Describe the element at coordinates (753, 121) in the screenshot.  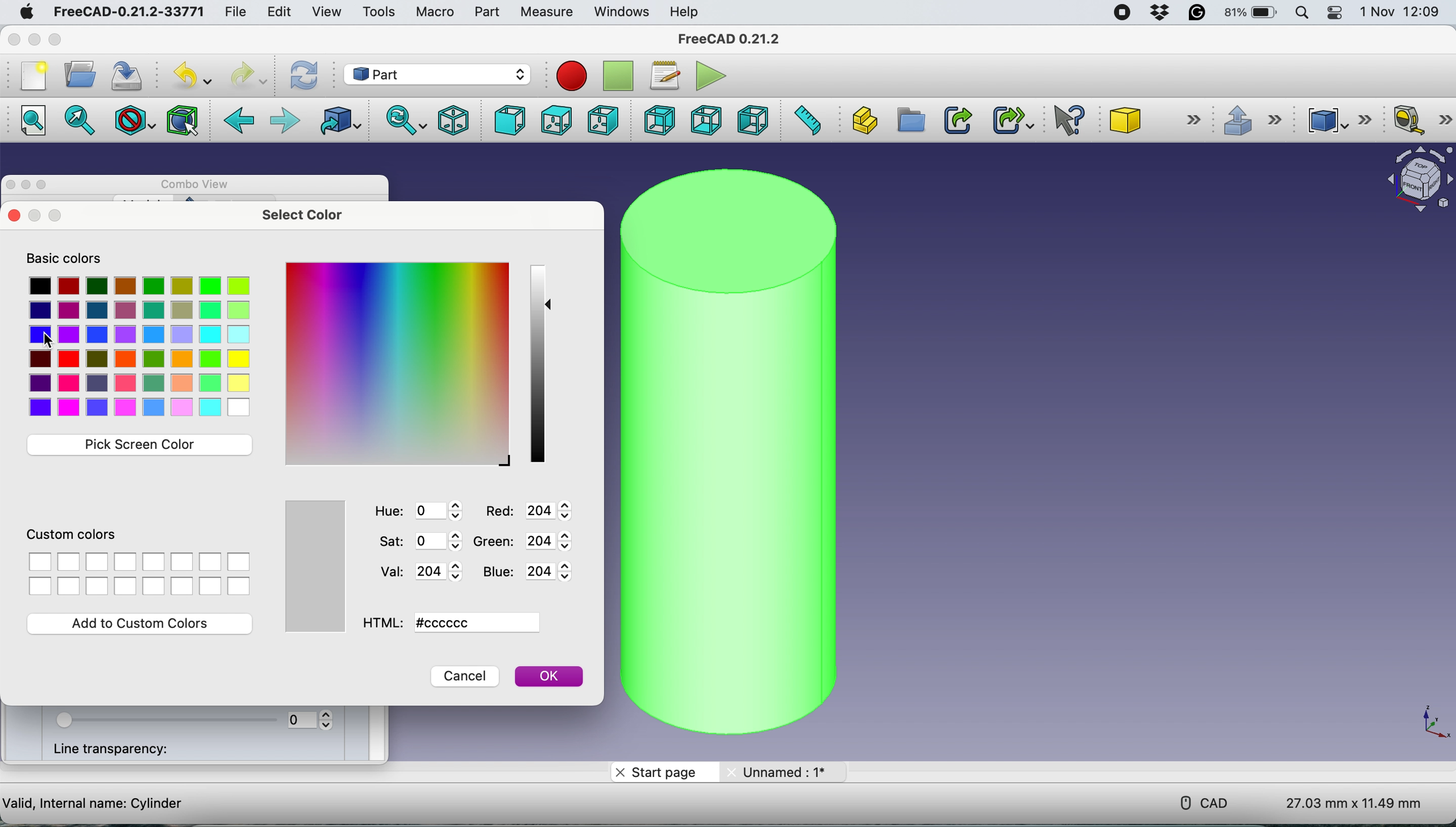
I see `left` at that location.